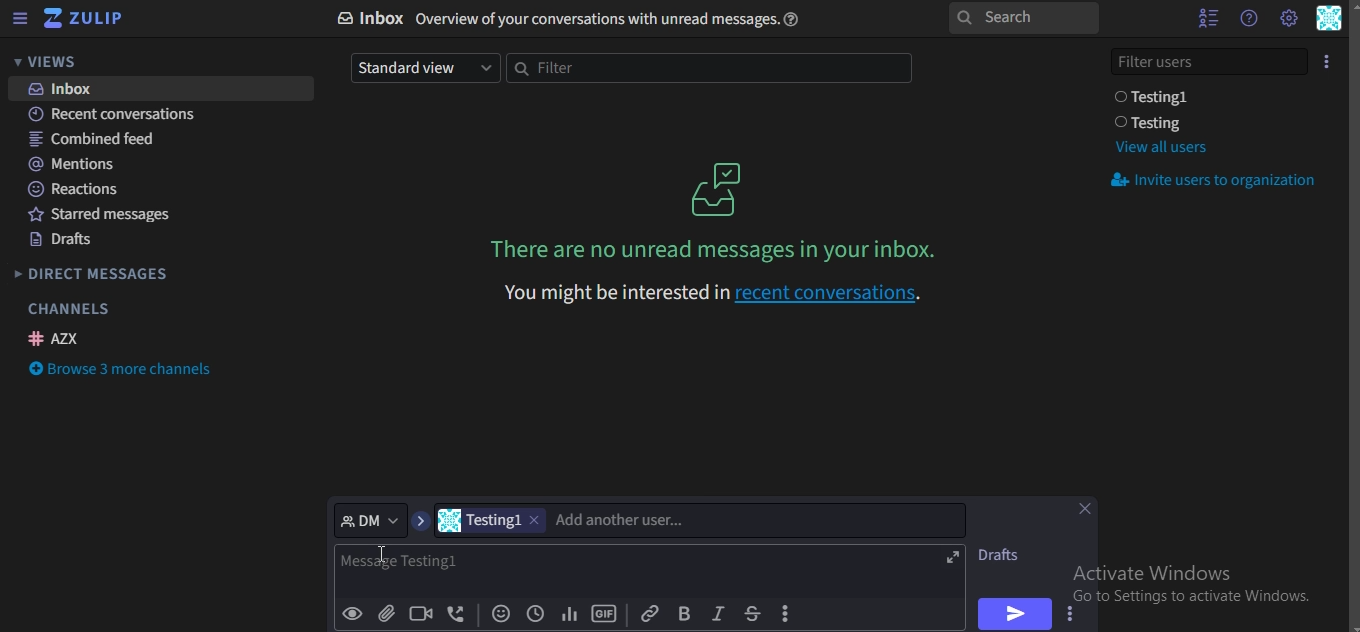  I want to click on mentions, so click(76, 164).